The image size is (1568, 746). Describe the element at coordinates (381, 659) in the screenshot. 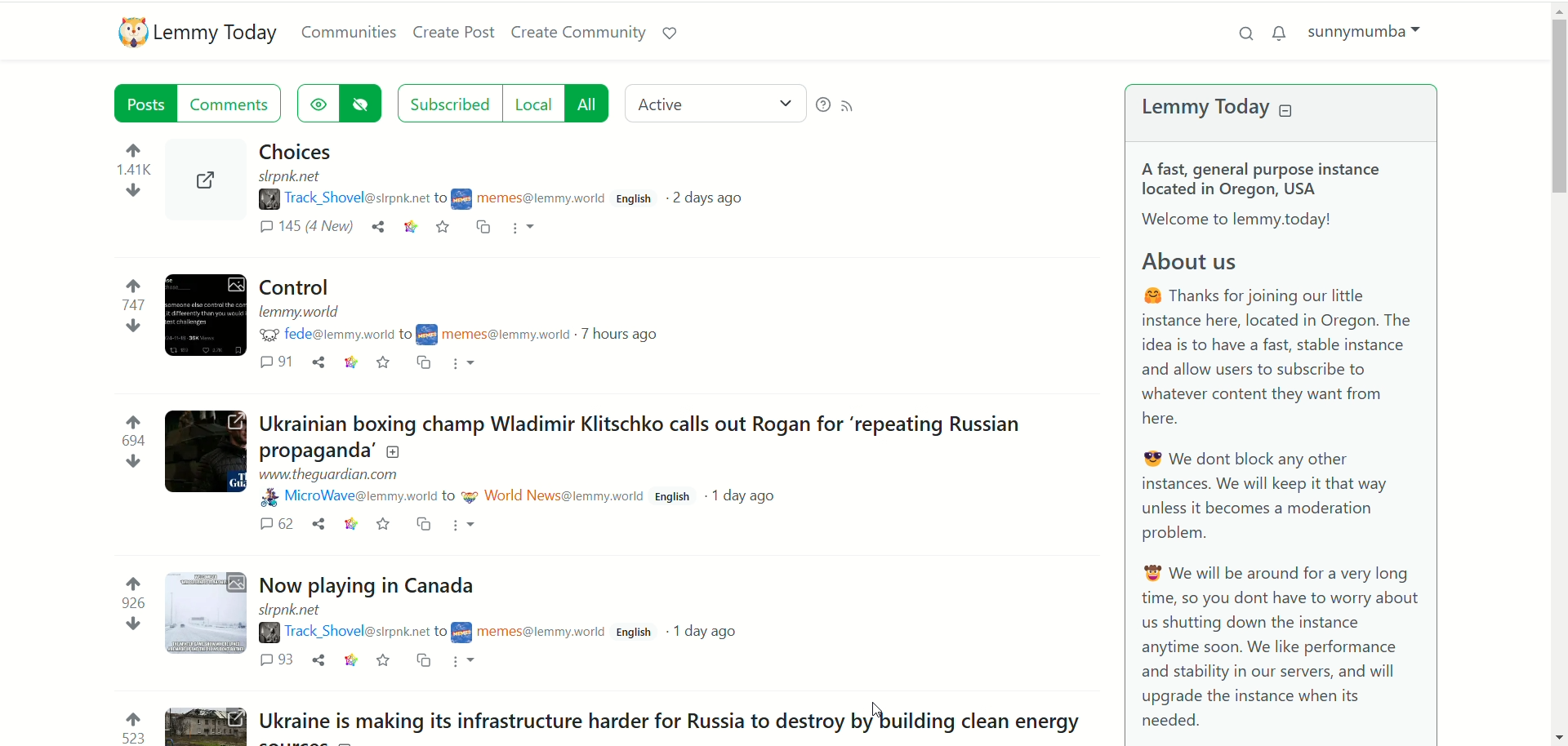

I see `save` at that location.